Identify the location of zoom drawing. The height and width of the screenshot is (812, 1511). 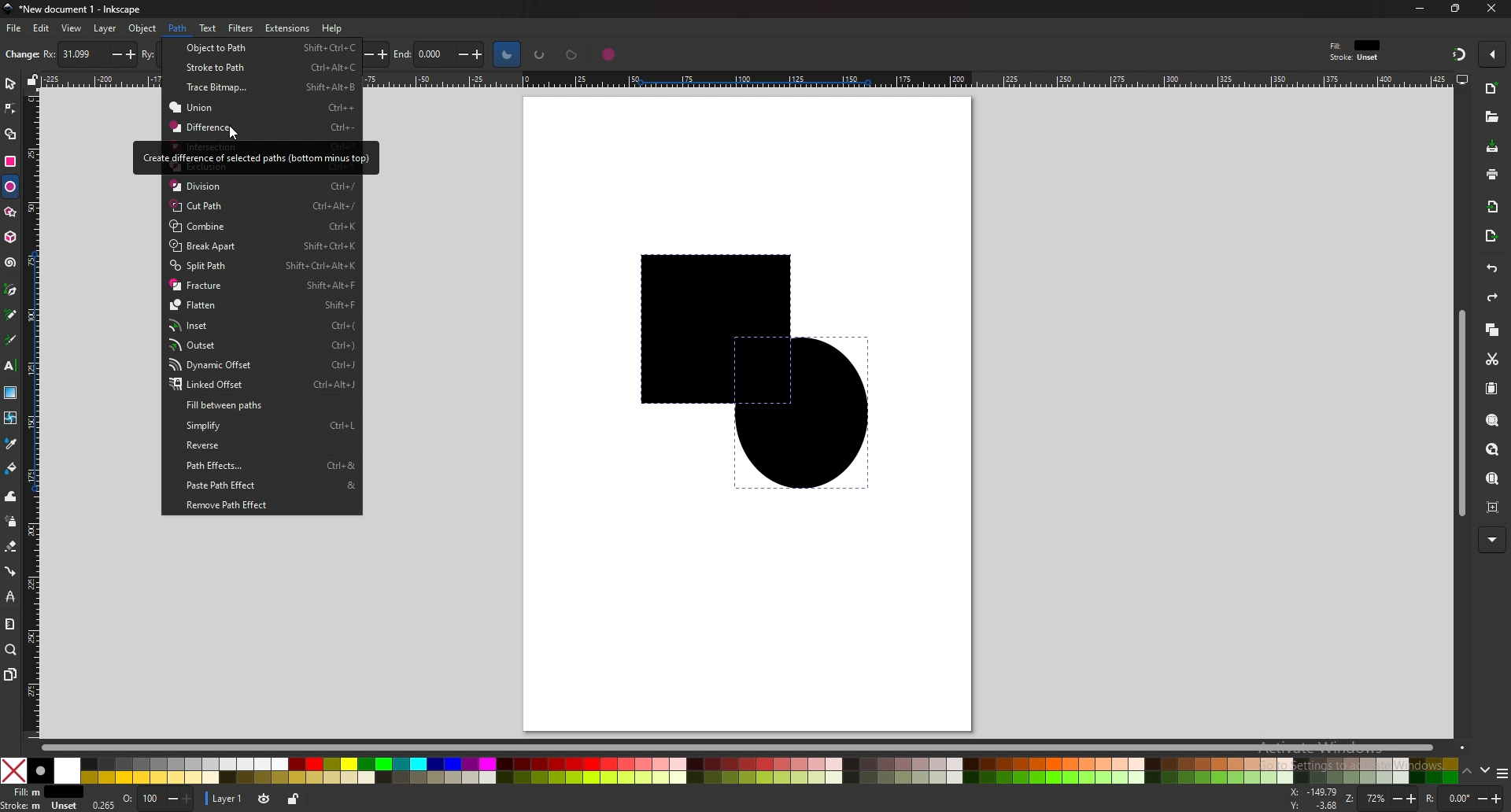
(1494, 448).